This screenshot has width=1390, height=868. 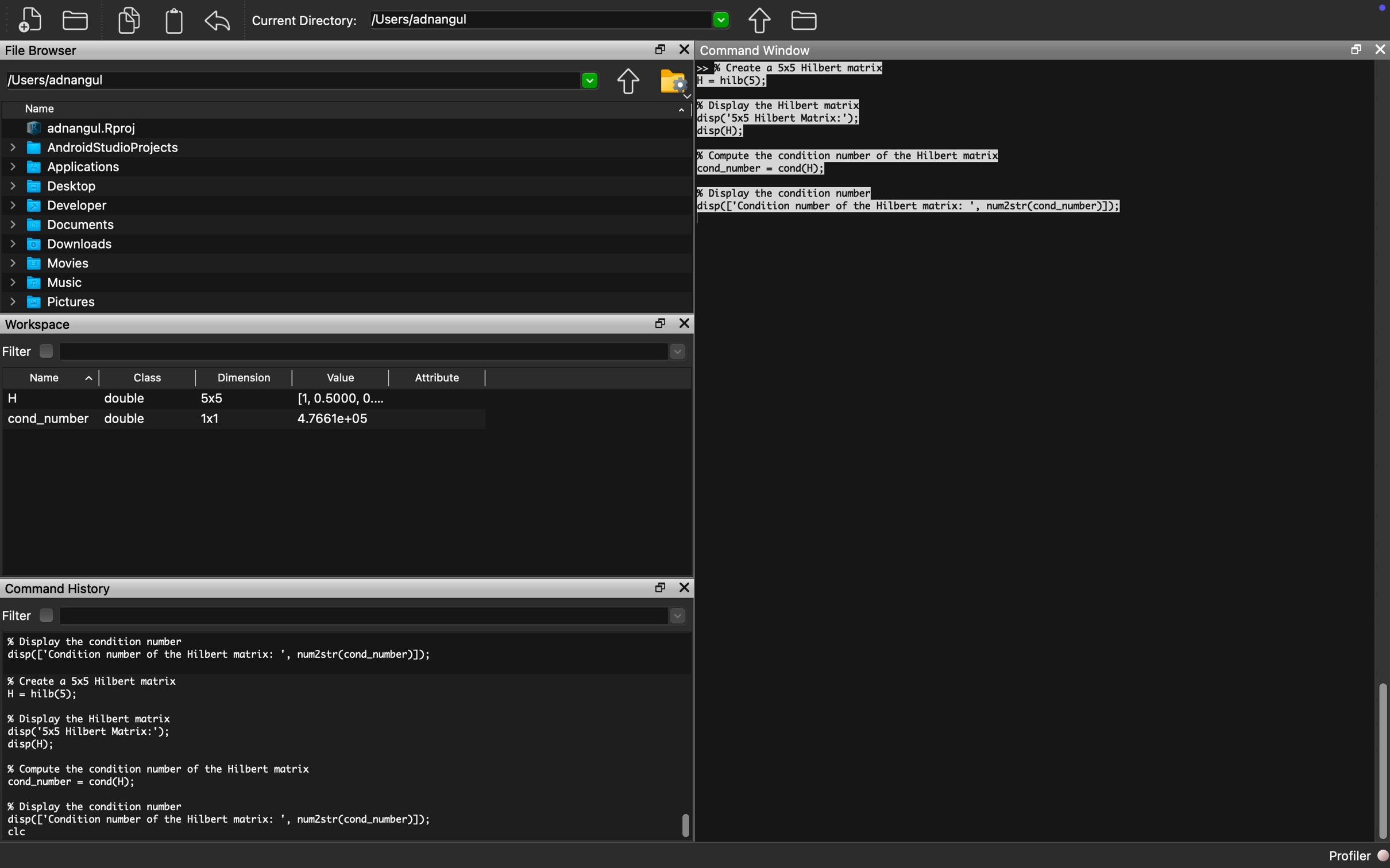 What do you see at coordinates (221, 821) in the screenshot?
I see `% Display the condition number
disp(['Condition number of the Hilbert matrix: ', num2str(cond_number)]);
clc` at bounding box center [221, 821].